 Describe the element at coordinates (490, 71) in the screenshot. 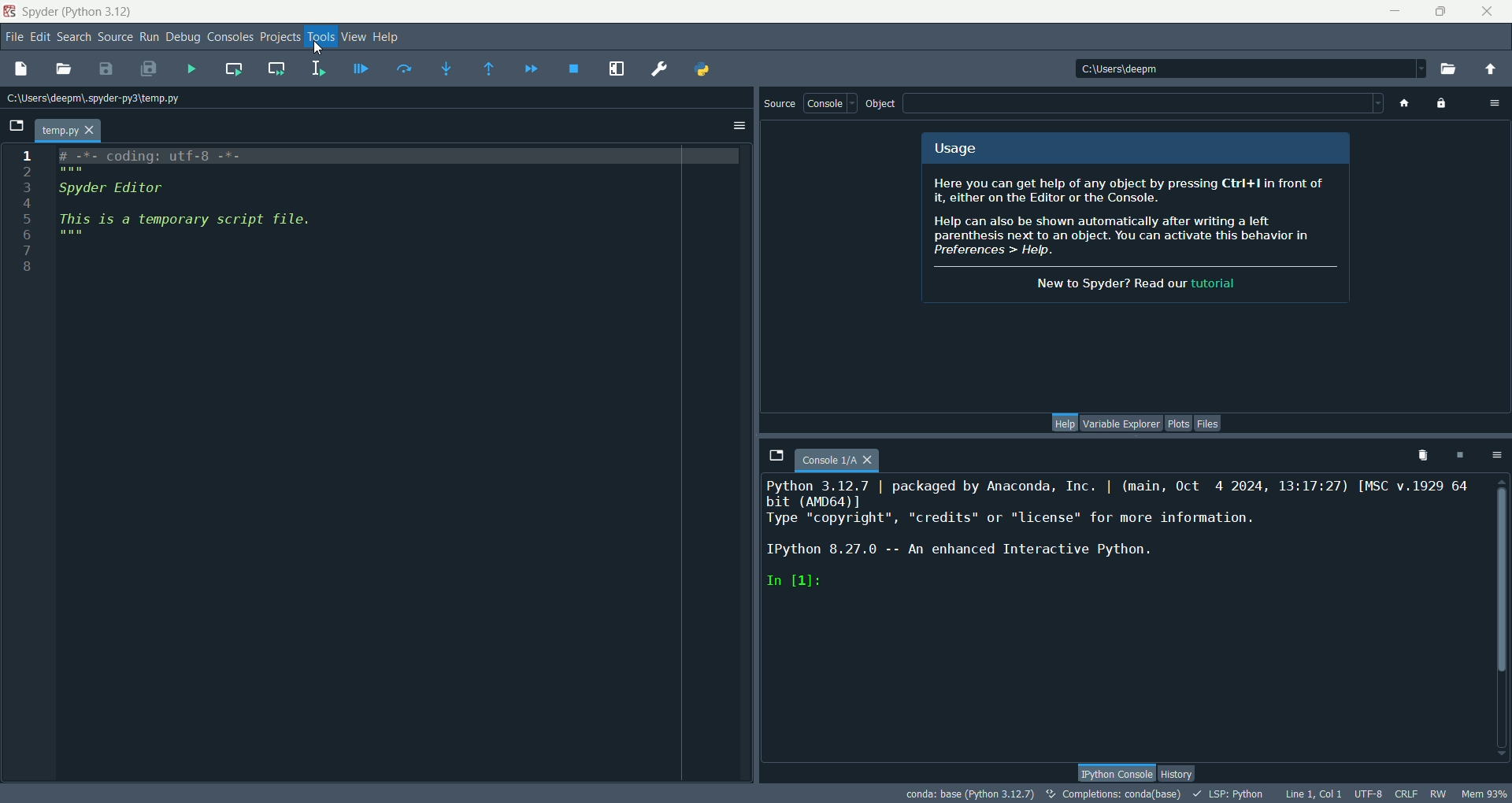

I see `run until current function returns` at that location.